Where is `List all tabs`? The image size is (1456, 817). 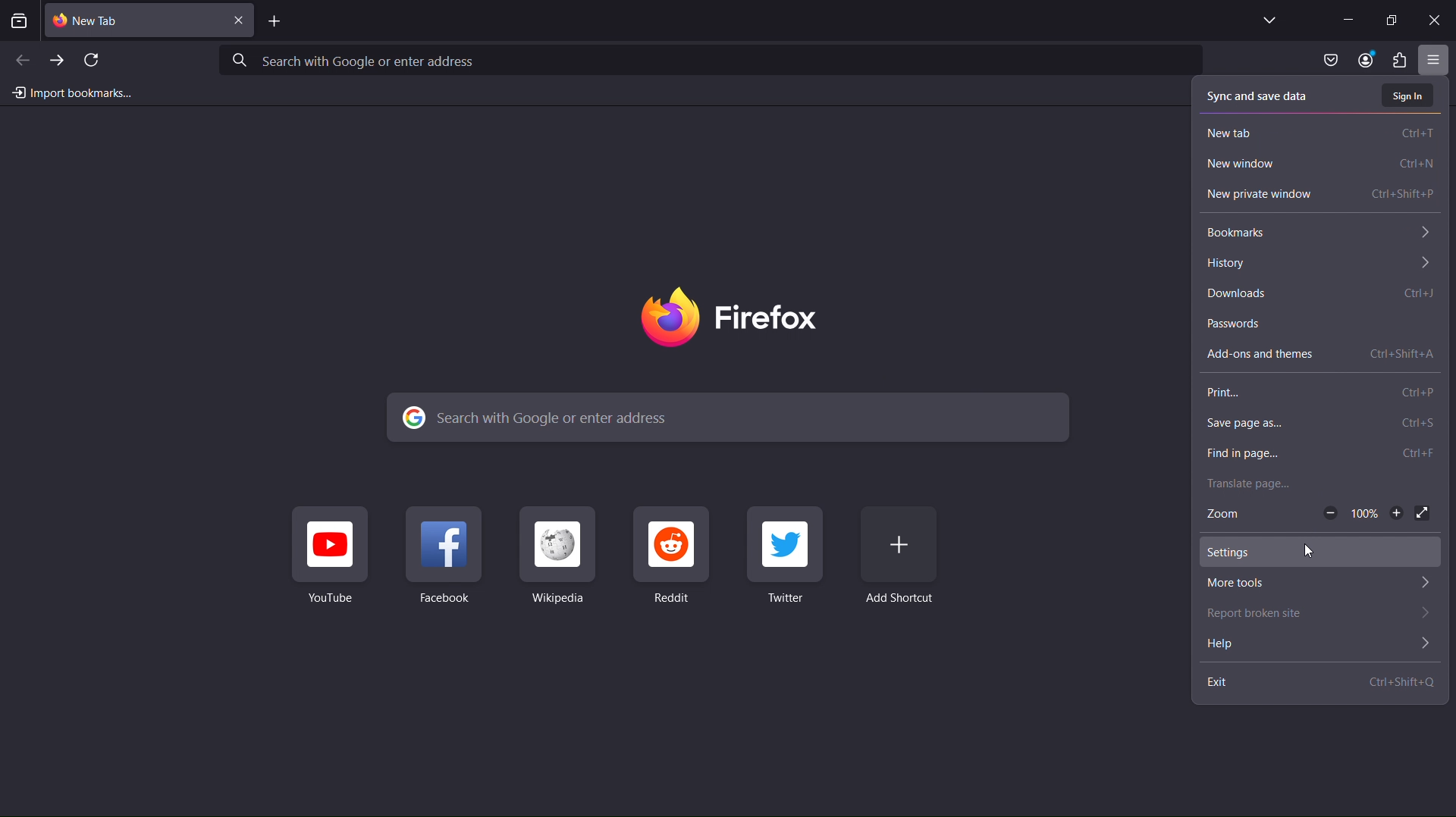
List all tabs is located at coordinates (1264, 20).